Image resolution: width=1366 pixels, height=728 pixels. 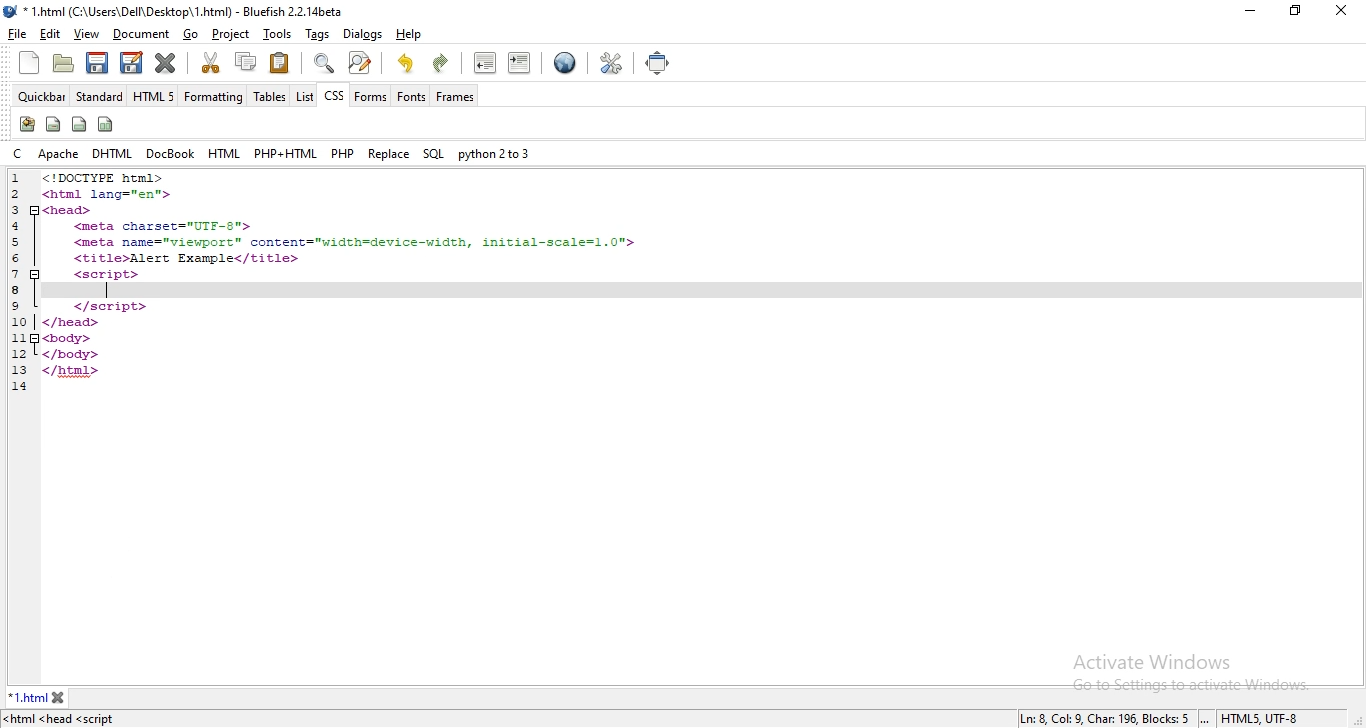 I want to click on file, so click(x=19, y=34).